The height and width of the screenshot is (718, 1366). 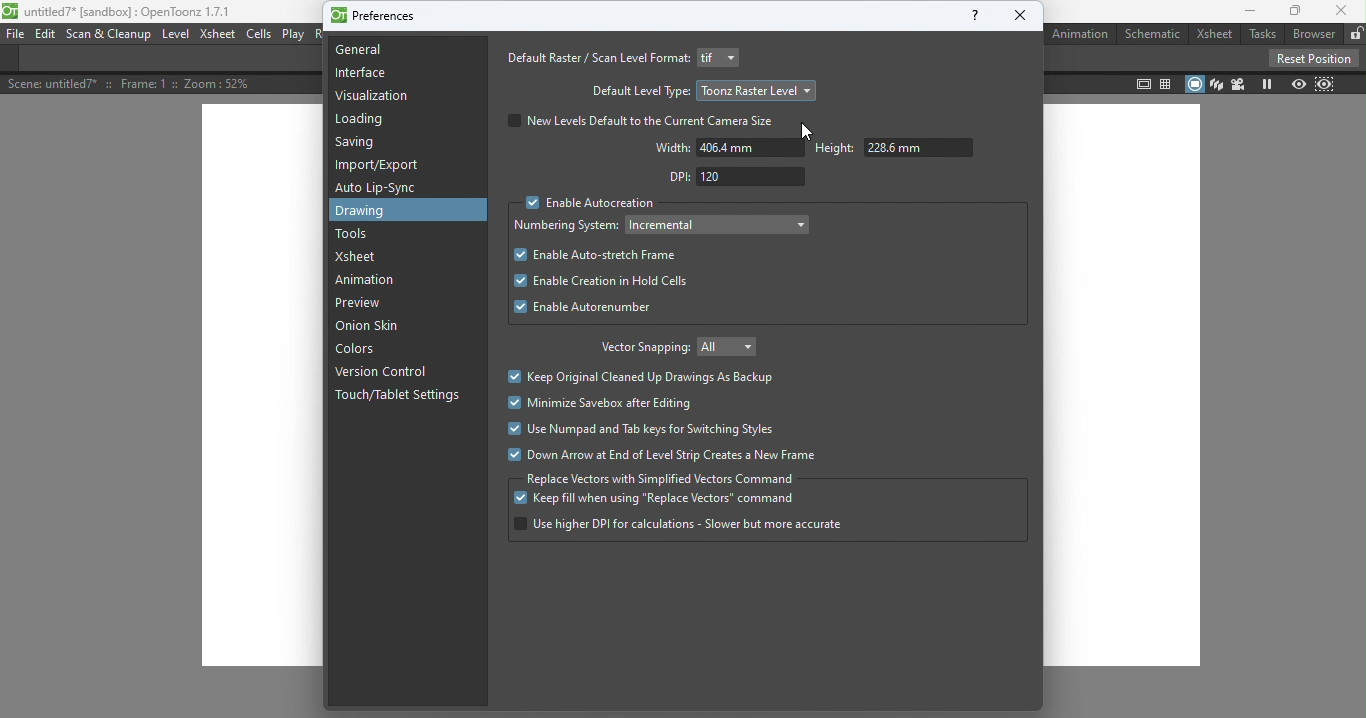 I want to click on Tasks, so click(x=1261, y=34).